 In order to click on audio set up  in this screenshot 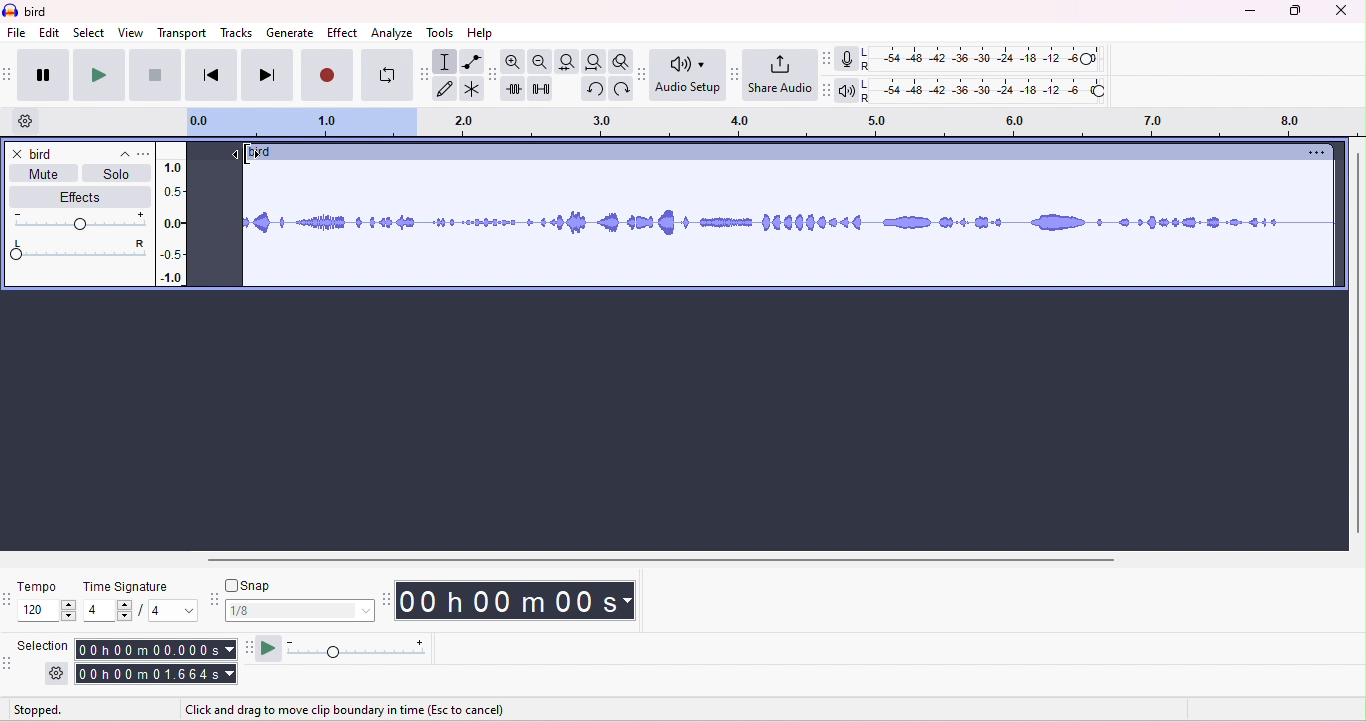, I will do `click(689, 76)`.